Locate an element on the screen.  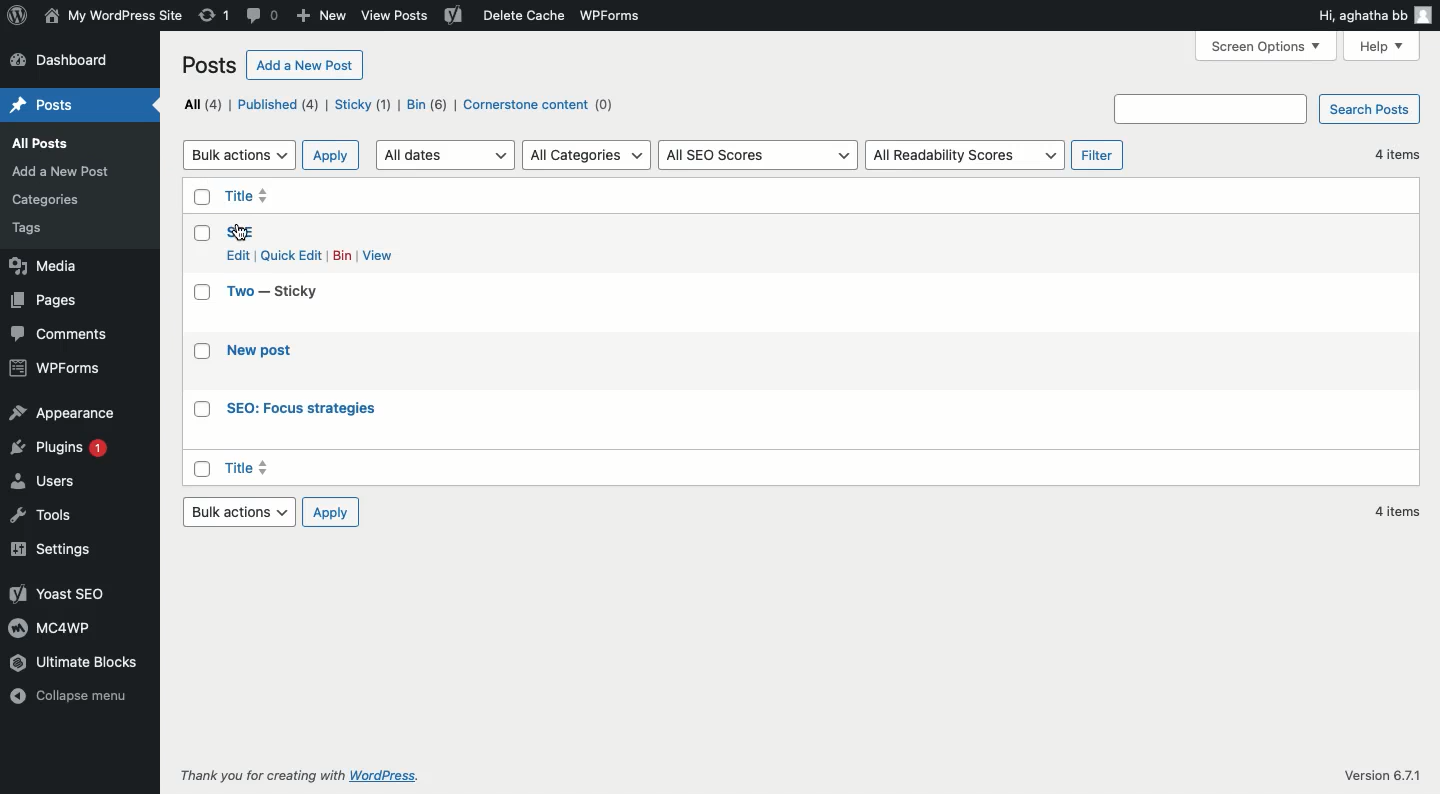
Posts is located at coordinates (43, 102).